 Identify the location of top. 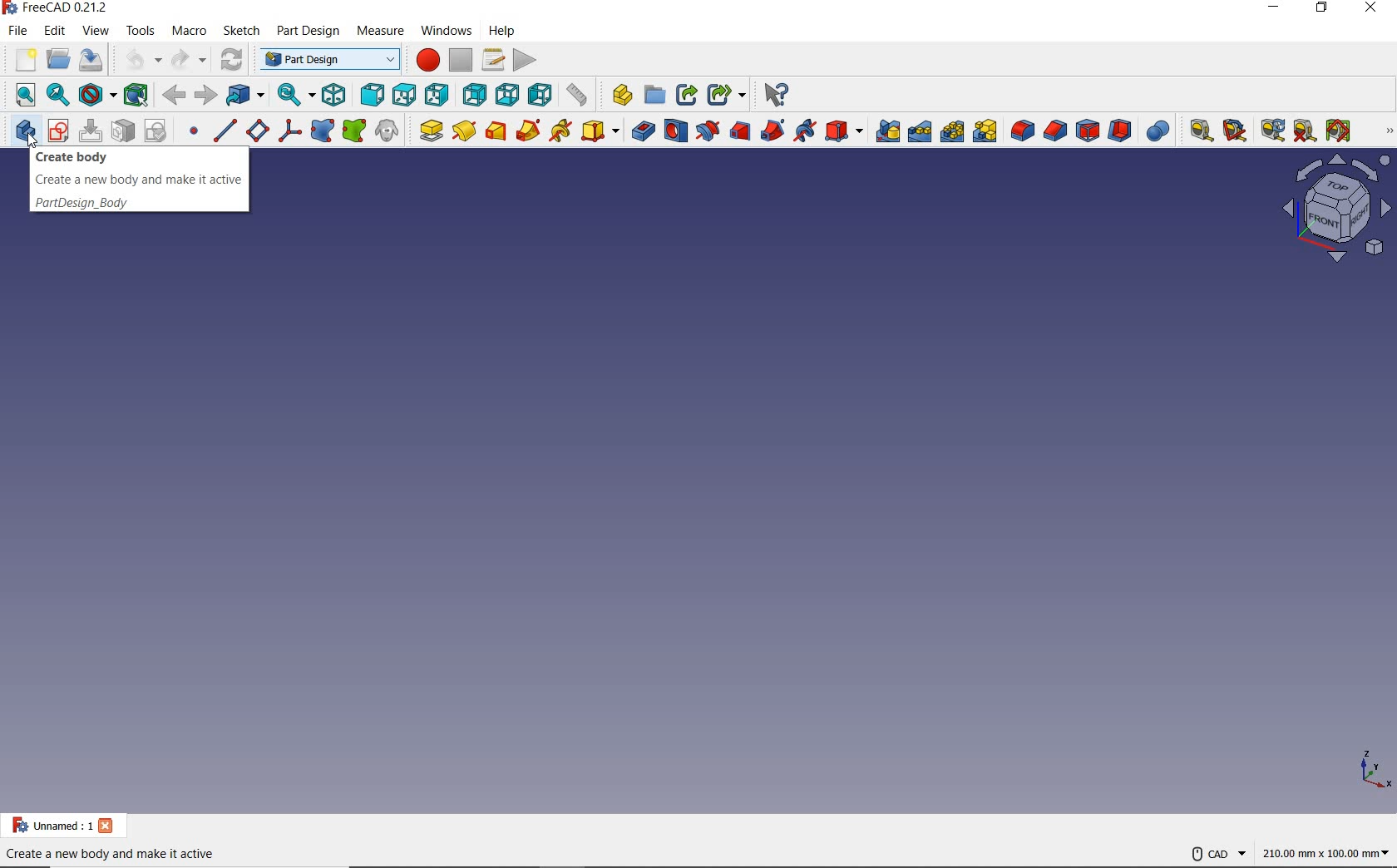
(402, 96).